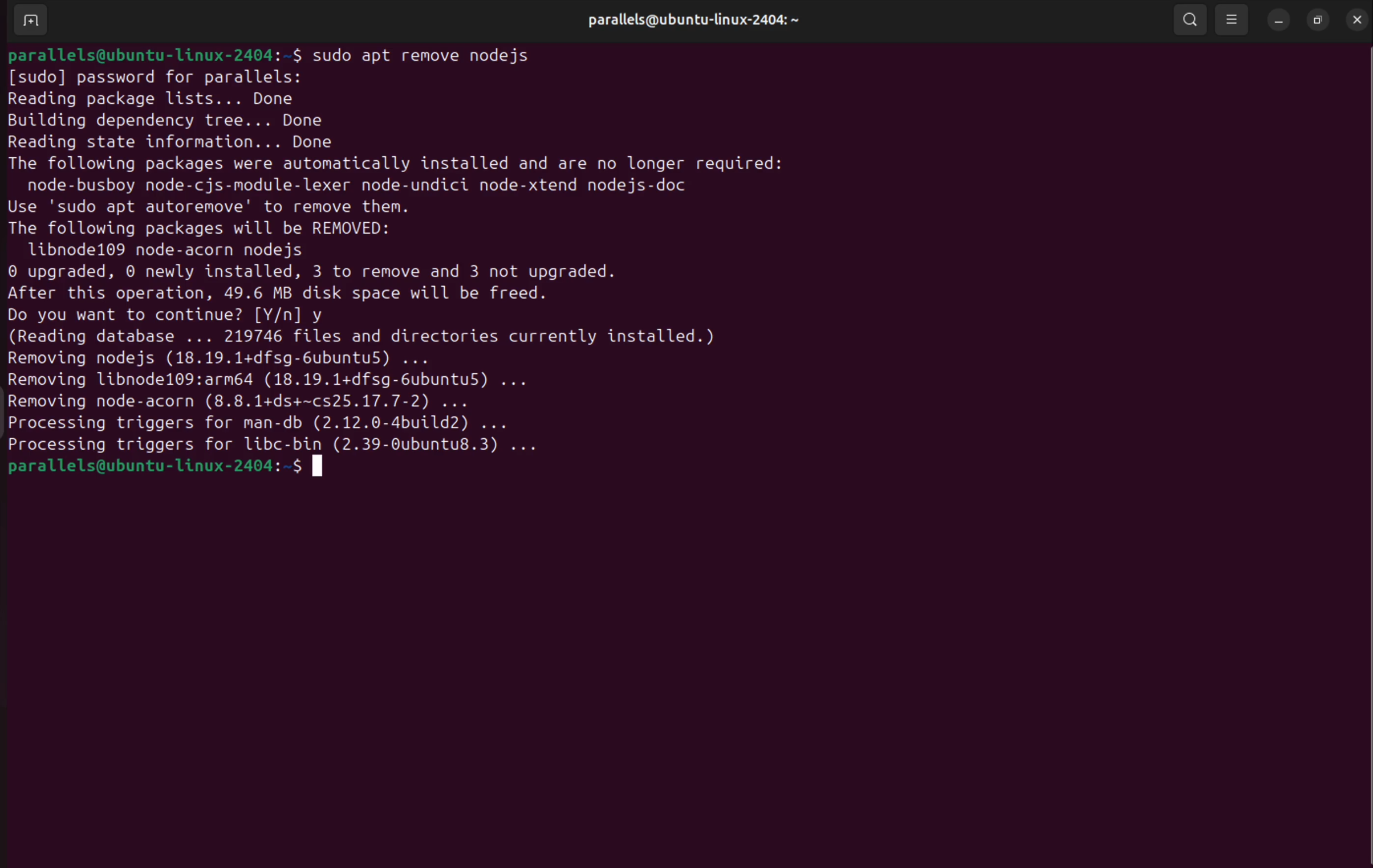 This screenshot has height=868, width=1373. I want to click on parallels@ubuntu-linux-2404: $, so click(153, 54).